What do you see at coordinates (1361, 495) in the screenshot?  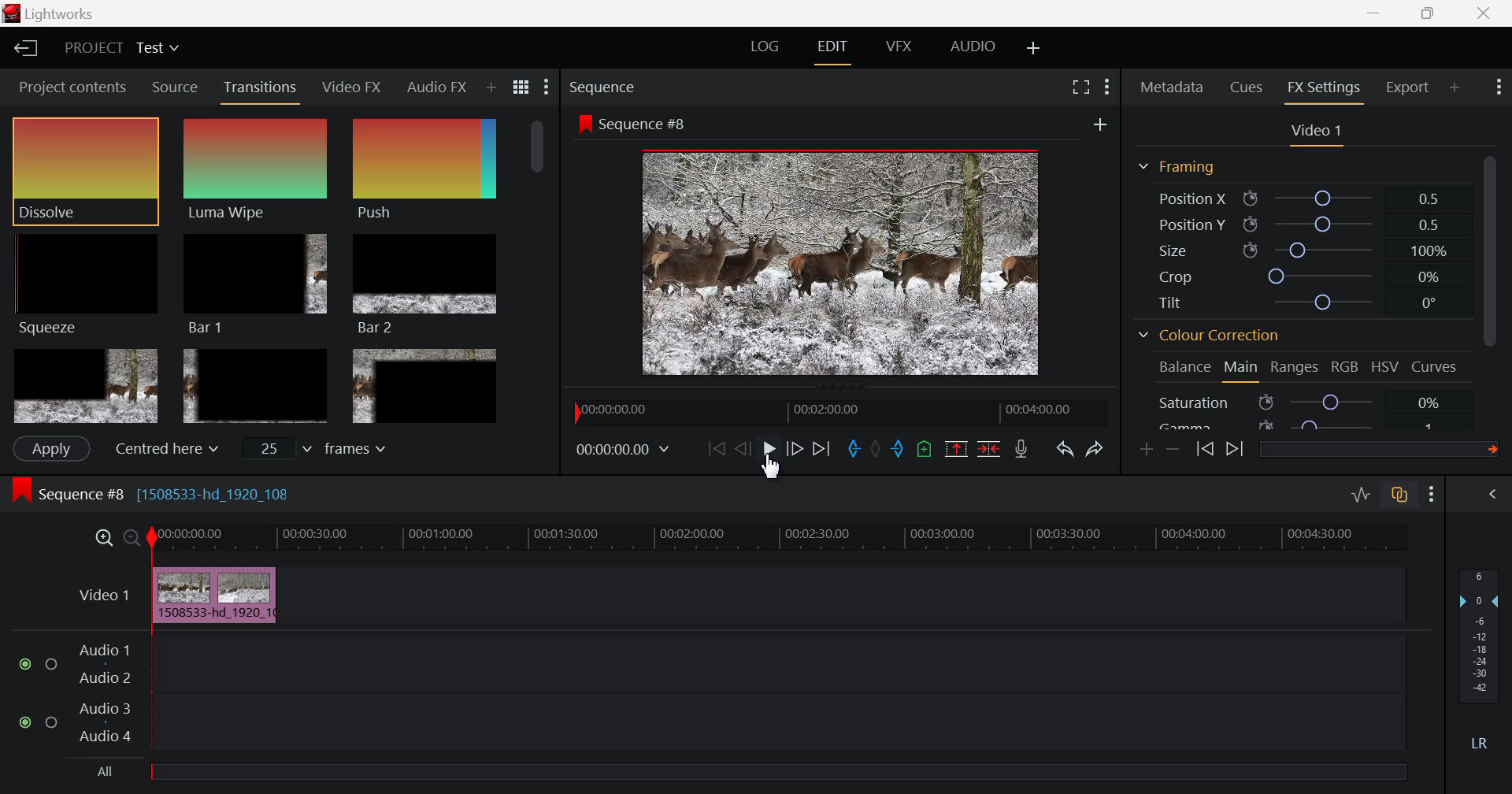 I see `Toggle audio levels` at bounding box center [1361, 495].